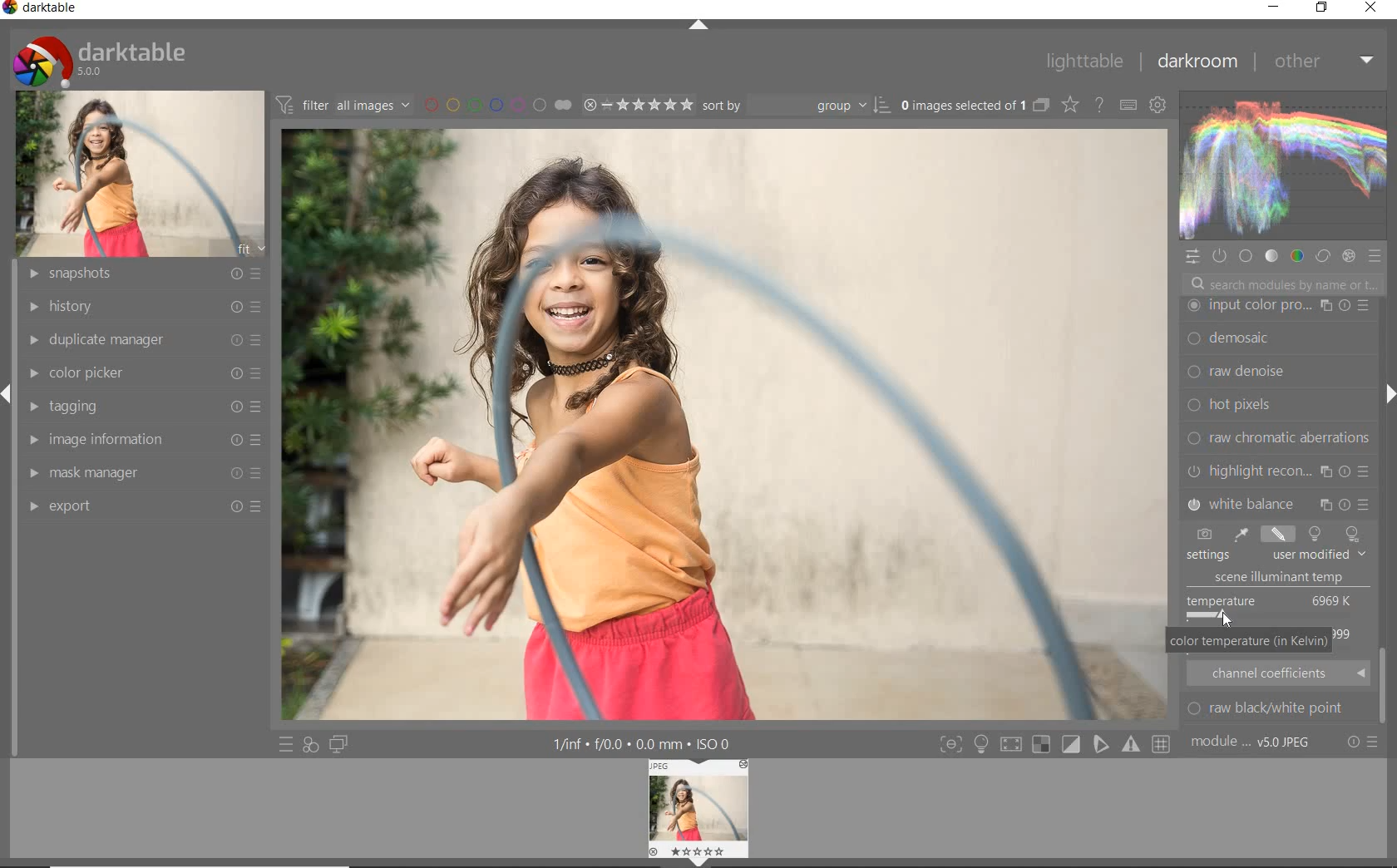 This screenshot has height=868, width=1397. I want to click on tagging, so click(143, 407).